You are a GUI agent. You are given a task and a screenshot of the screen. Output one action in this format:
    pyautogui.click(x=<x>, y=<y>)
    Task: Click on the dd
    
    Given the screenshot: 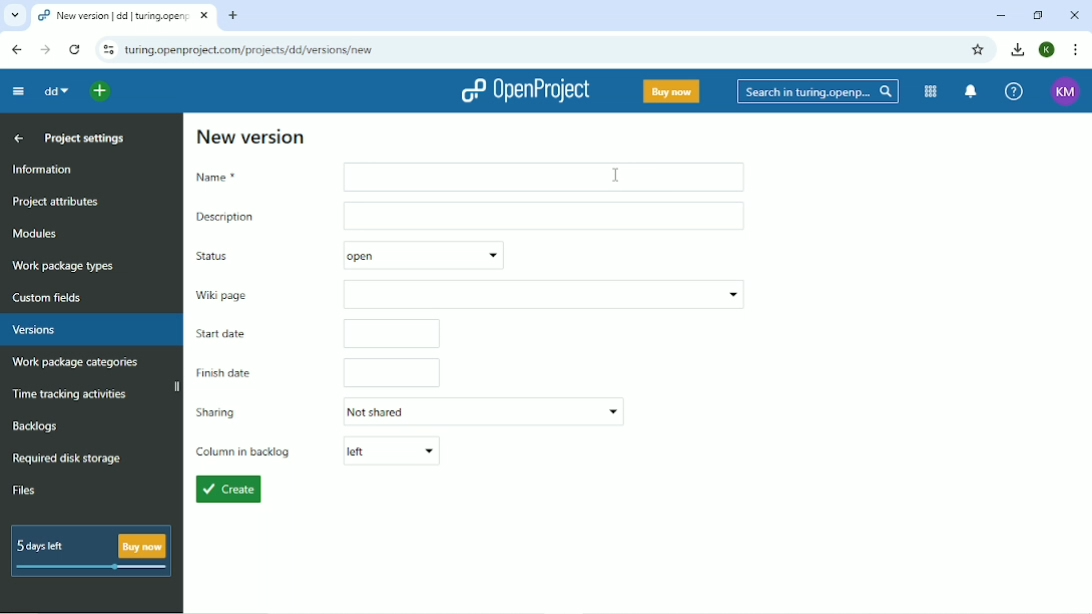 What is the action you would take?
    pyautogui.click(x=57, y=90)
    